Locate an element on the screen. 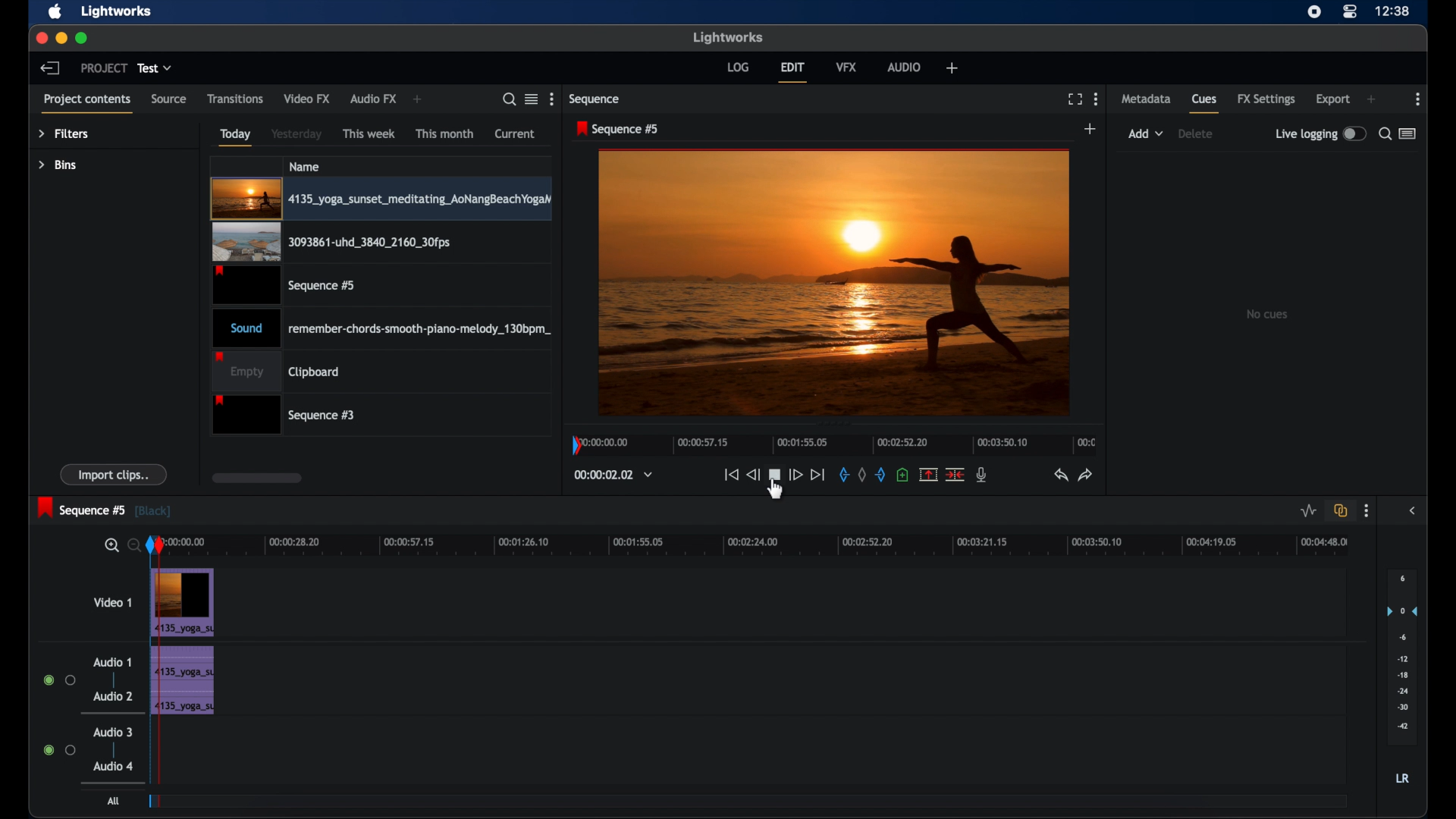  more options is located at coordinates (1097, 99).